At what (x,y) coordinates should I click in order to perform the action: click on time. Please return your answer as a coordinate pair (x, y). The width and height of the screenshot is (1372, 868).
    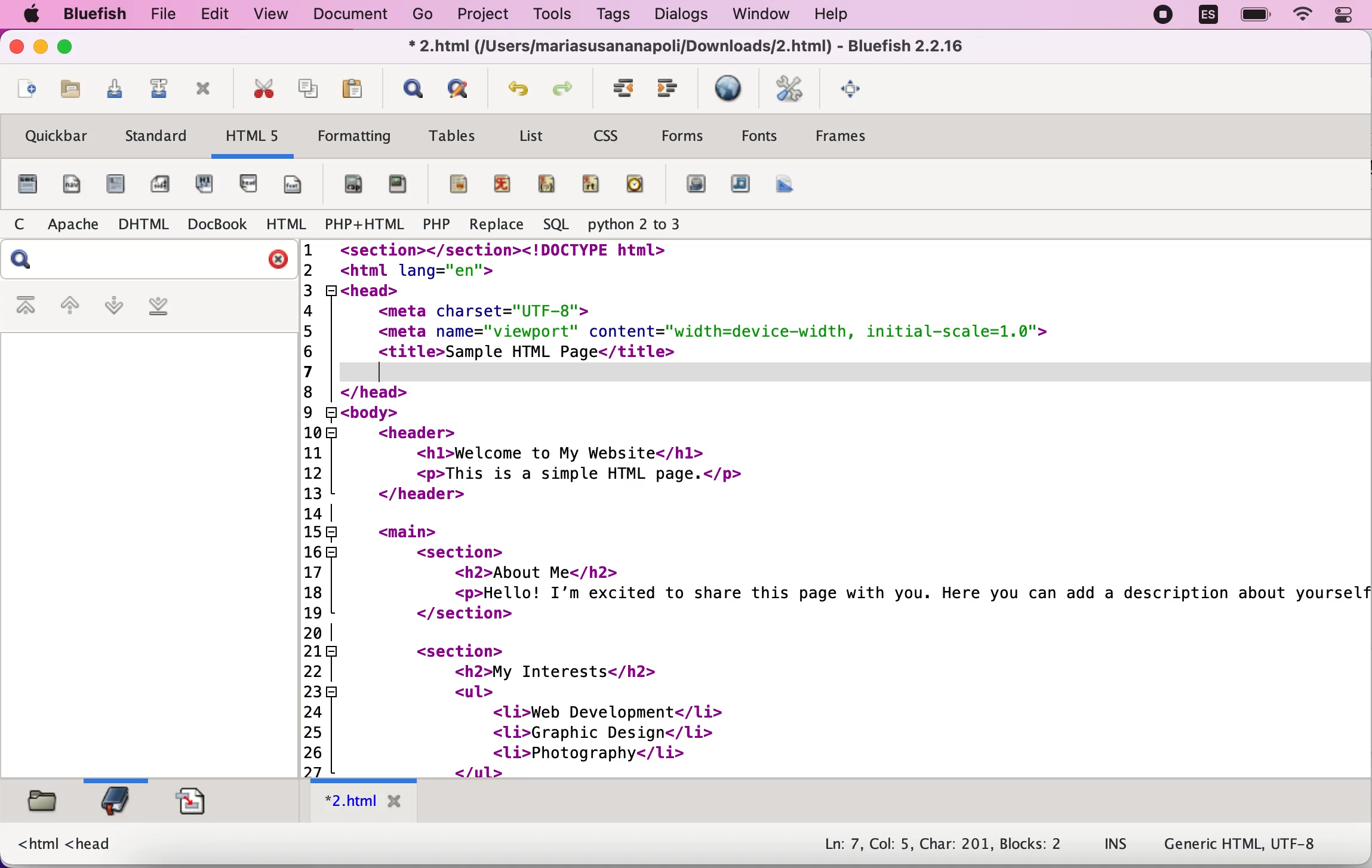
    Looking at the image, I should click on (638, 183).